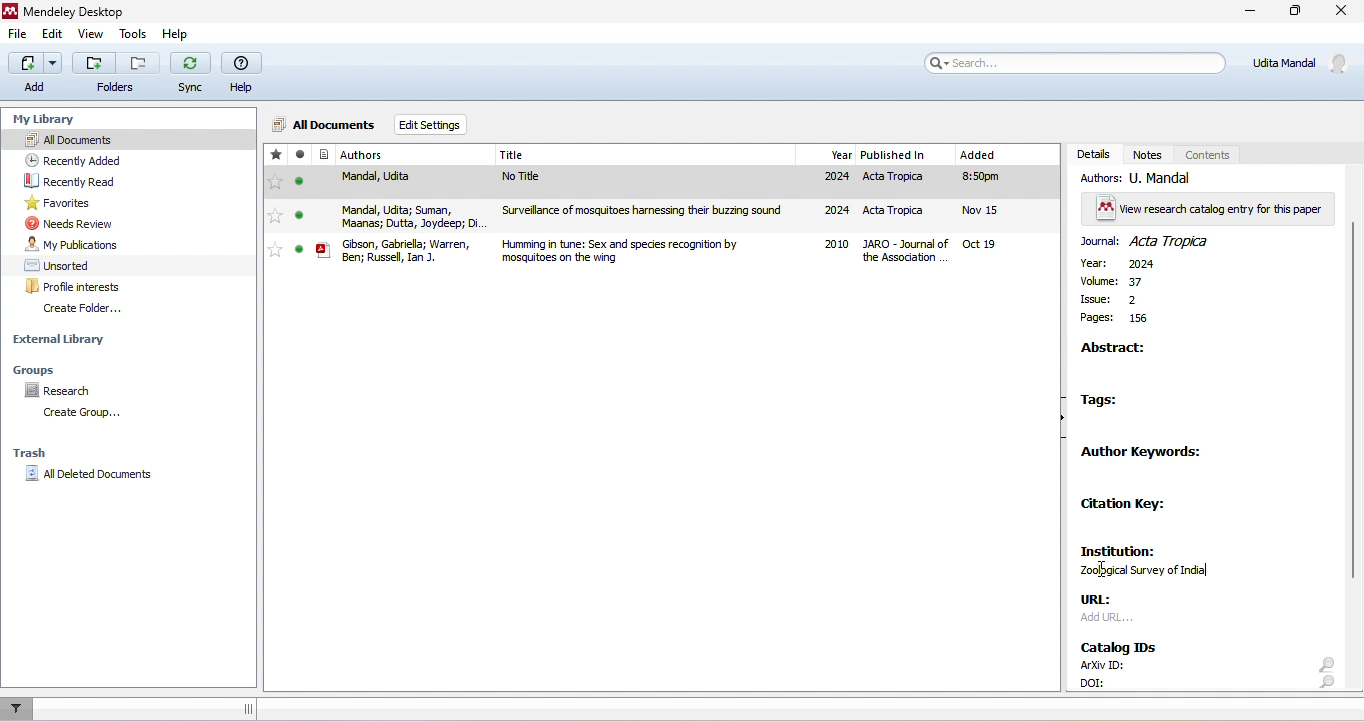 This screenshot has width=1364, height=722. What do you see at coordinates (901, 213) in the screenshot?
I see `acta tropica` at bounding box center [901, 213].